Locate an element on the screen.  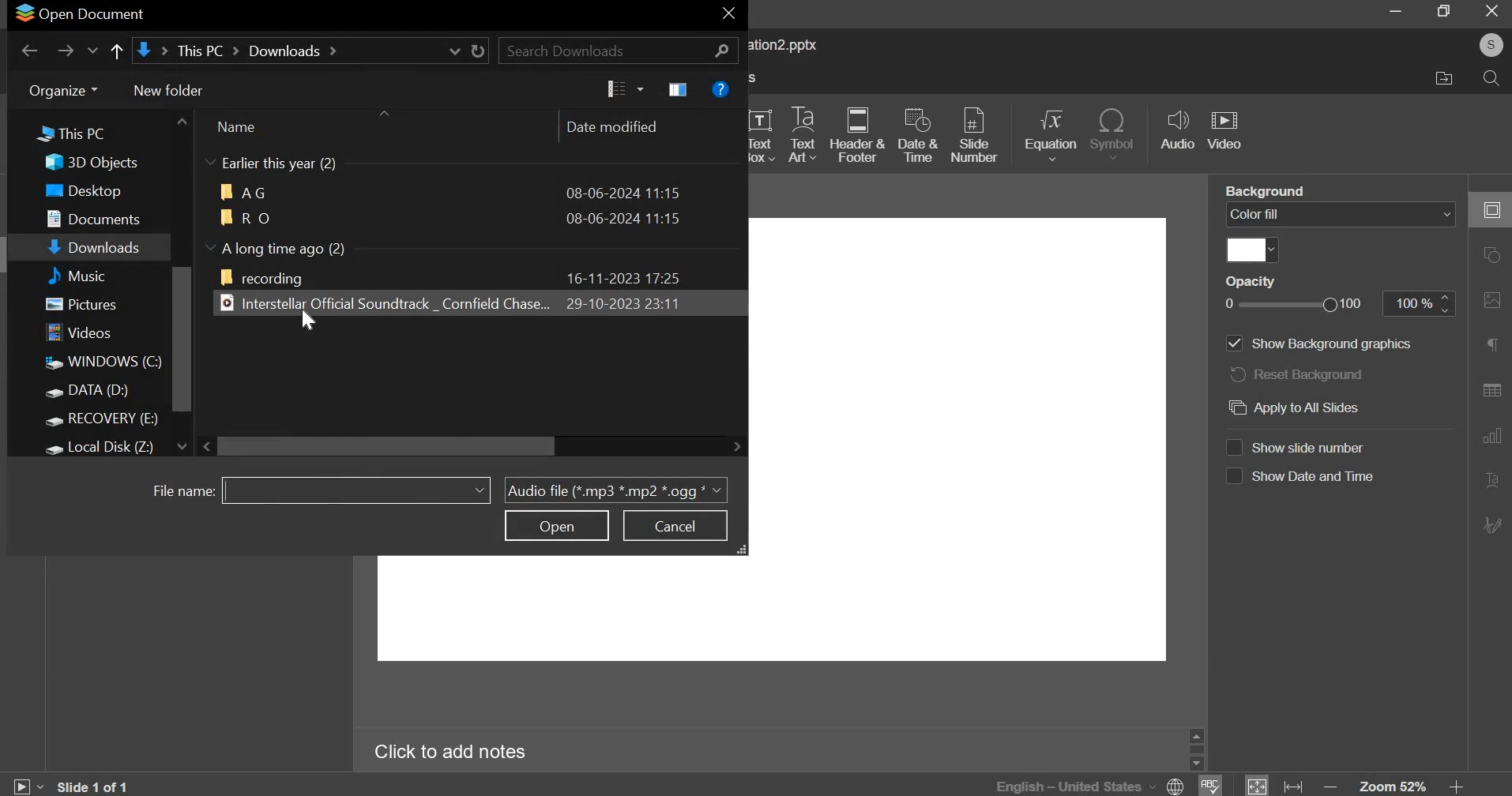
get help is located at coordinates (721, 89).